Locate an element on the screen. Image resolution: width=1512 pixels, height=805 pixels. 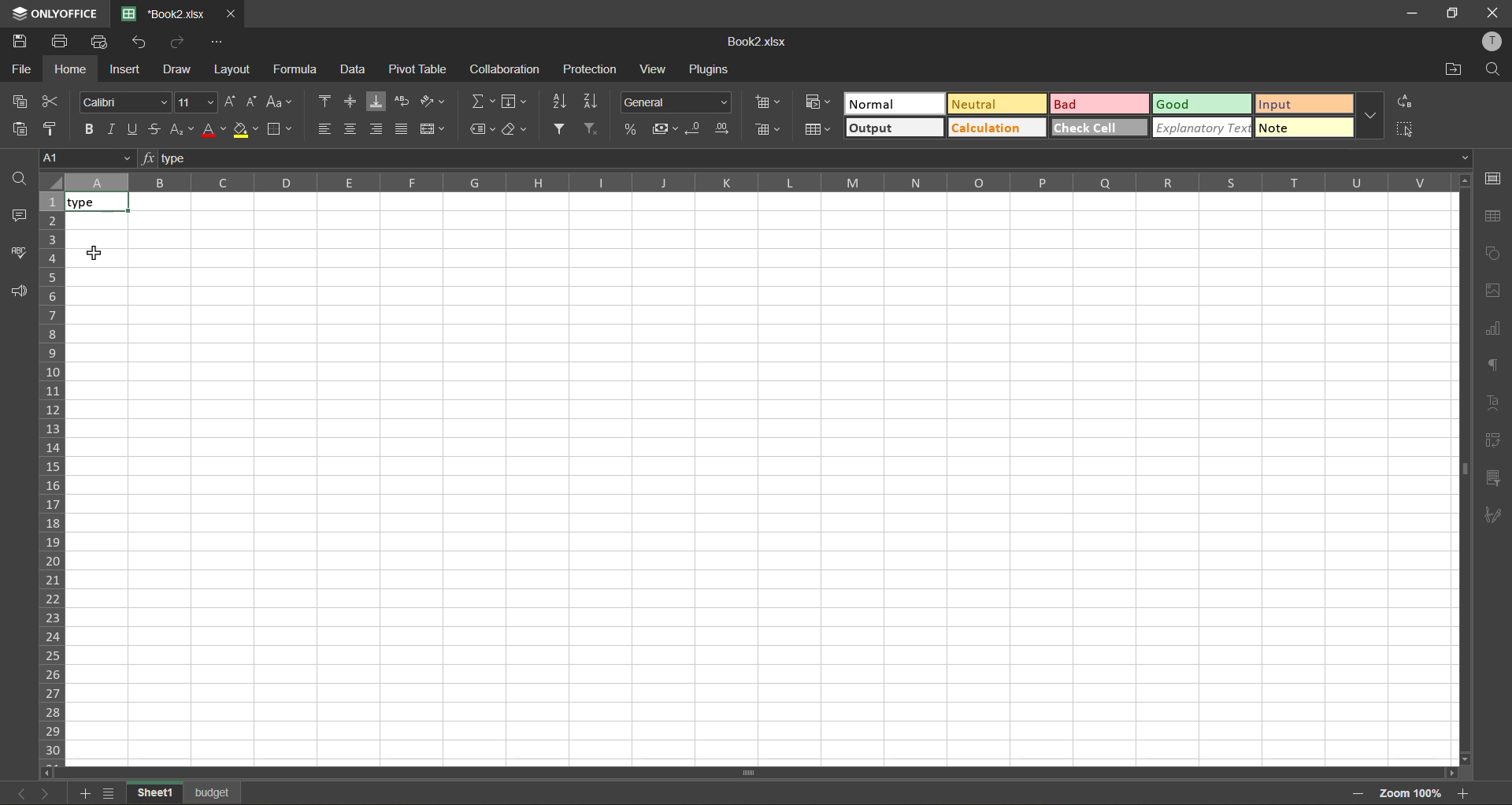
align top is located at coordinates (323, 101).